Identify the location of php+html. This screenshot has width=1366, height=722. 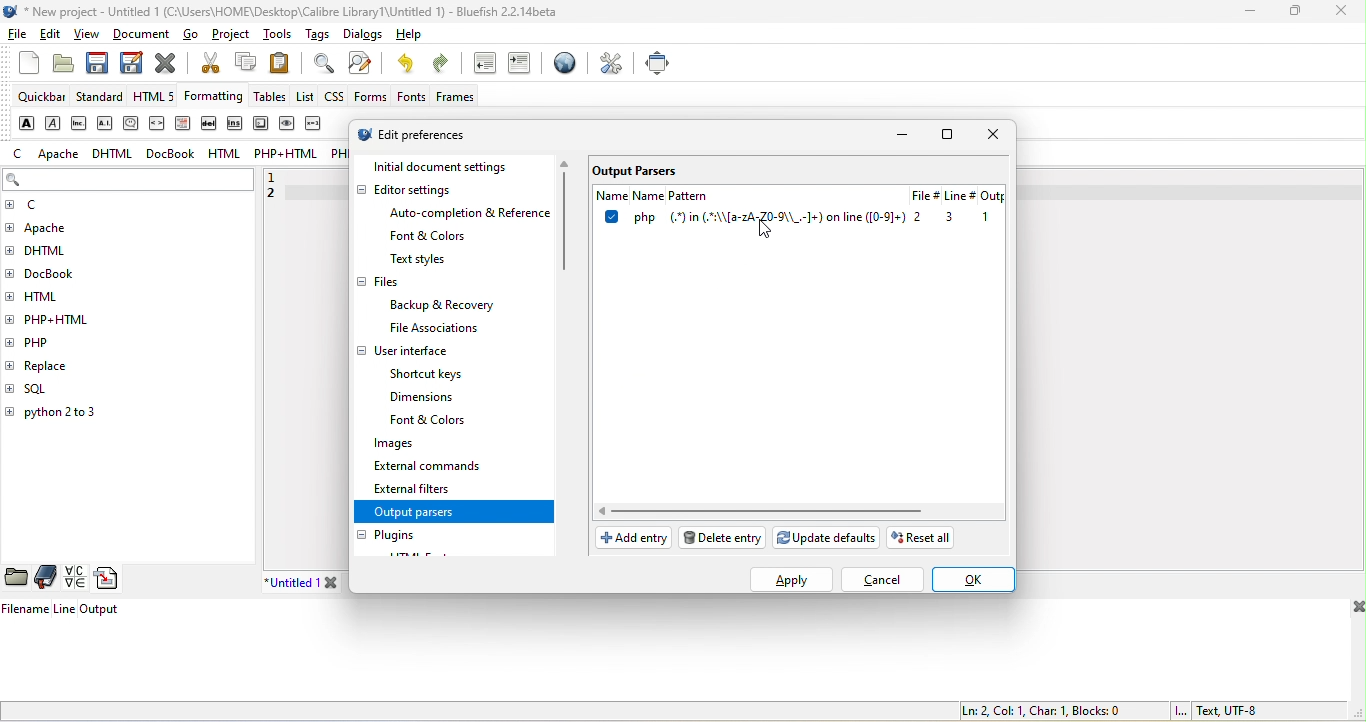
(287, 156).